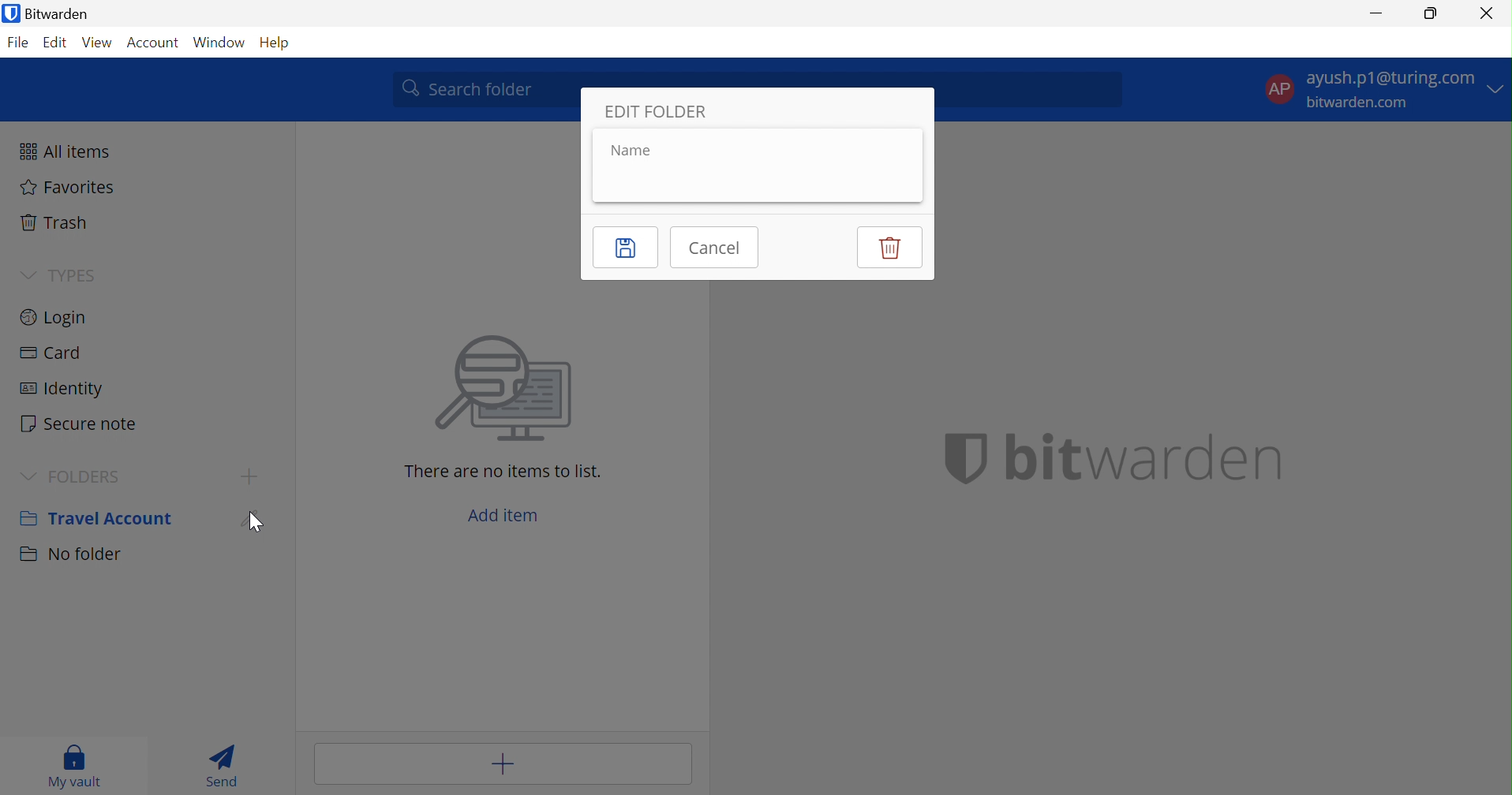  What do you see at coordinates (99, 42) in the screenshot?
I see `View` at bounding box center [99, 42].